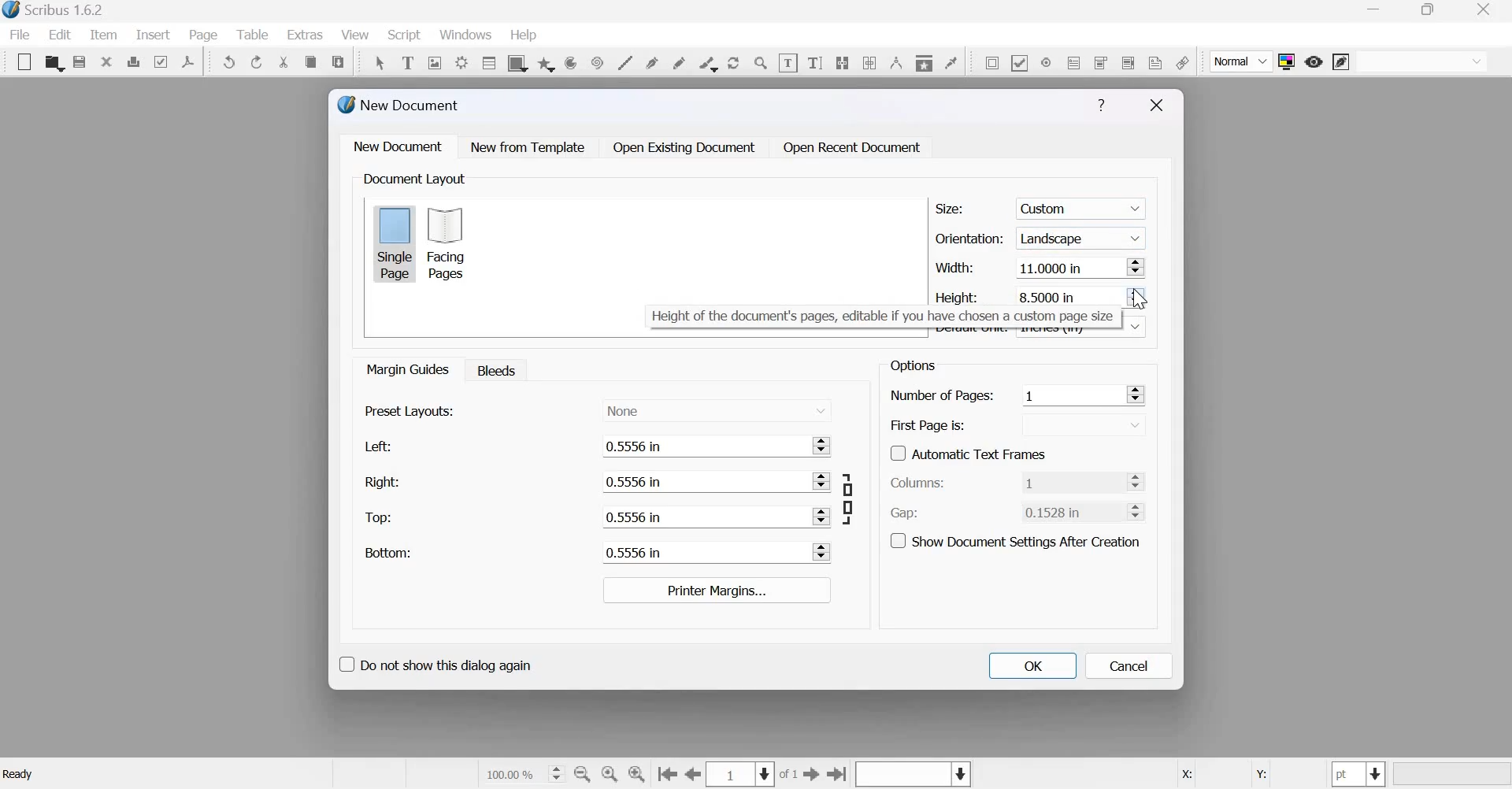 The height and width of the screenshot is (789, 1512). Describe the element at coordinates (395, 243) in the screenshot. I see `Single page` at that location.